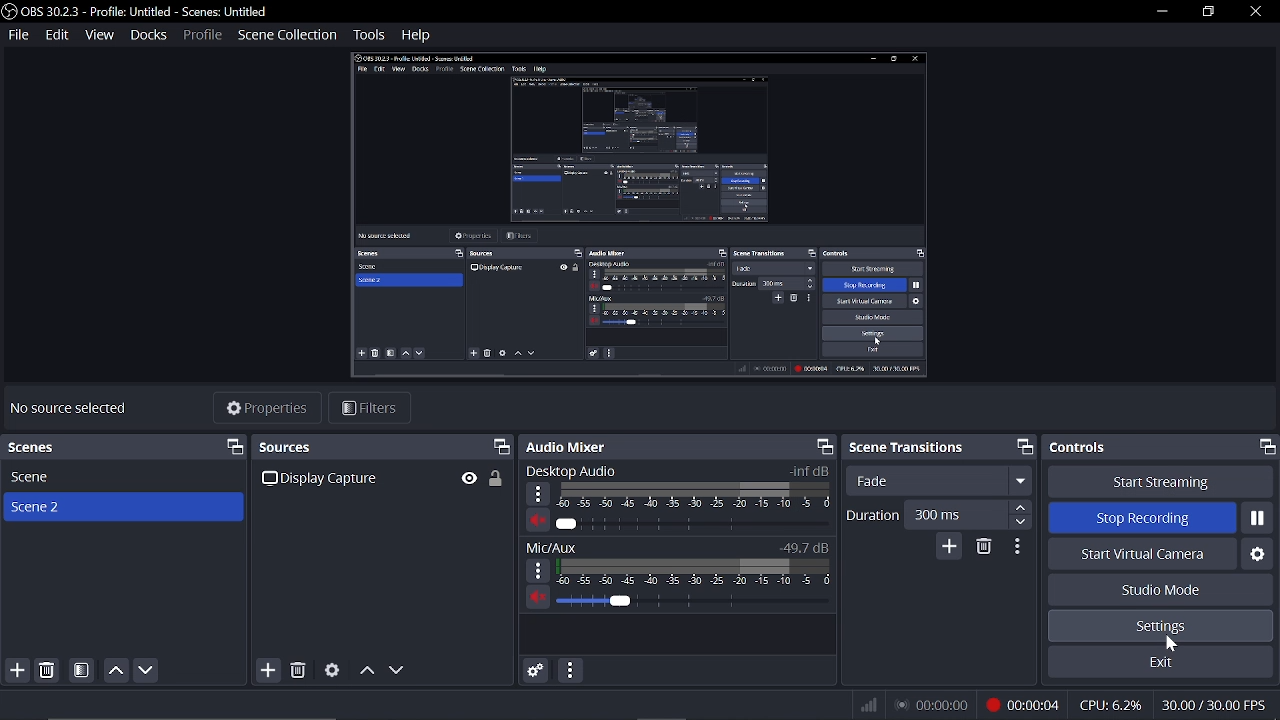 This screenshot has width=1280, height=720. Describe the element at coordinates (369, 410) in the screenshot. I see `filters` at that location.